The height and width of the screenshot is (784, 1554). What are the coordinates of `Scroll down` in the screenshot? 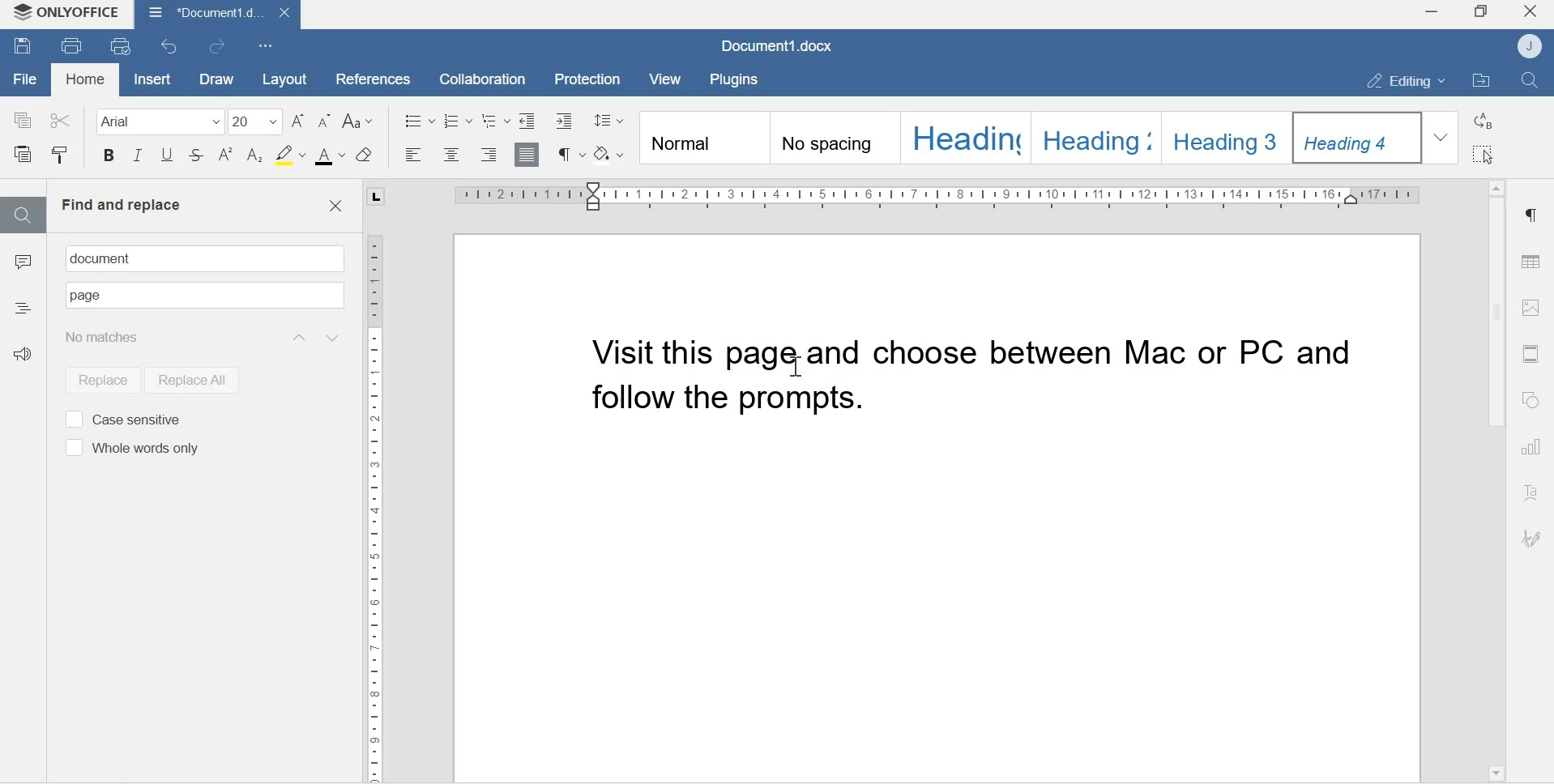 It's located at (1495, 771).